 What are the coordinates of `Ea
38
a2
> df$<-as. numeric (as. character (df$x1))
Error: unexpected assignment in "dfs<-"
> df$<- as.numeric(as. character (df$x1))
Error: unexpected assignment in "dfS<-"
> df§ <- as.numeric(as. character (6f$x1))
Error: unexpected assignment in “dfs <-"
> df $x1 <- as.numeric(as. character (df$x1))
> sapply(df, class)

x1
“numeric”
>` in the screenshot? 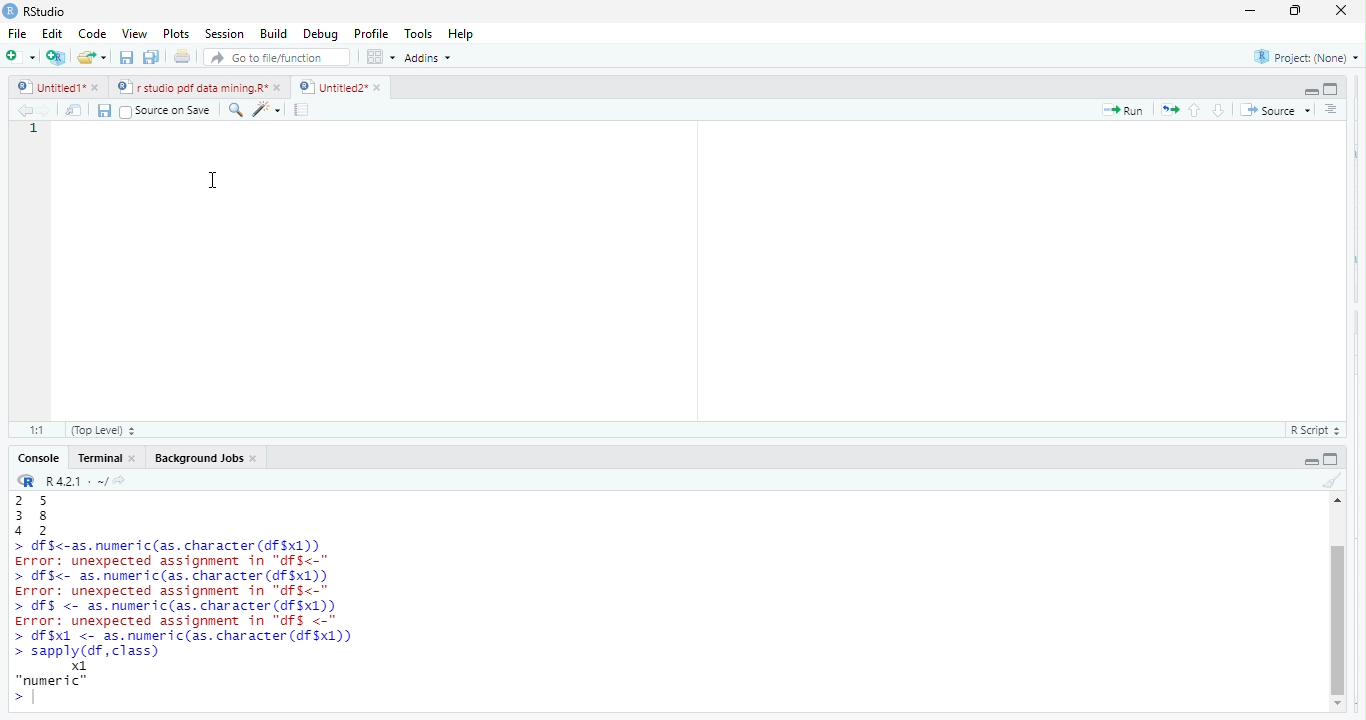 It's located at (233, 602).